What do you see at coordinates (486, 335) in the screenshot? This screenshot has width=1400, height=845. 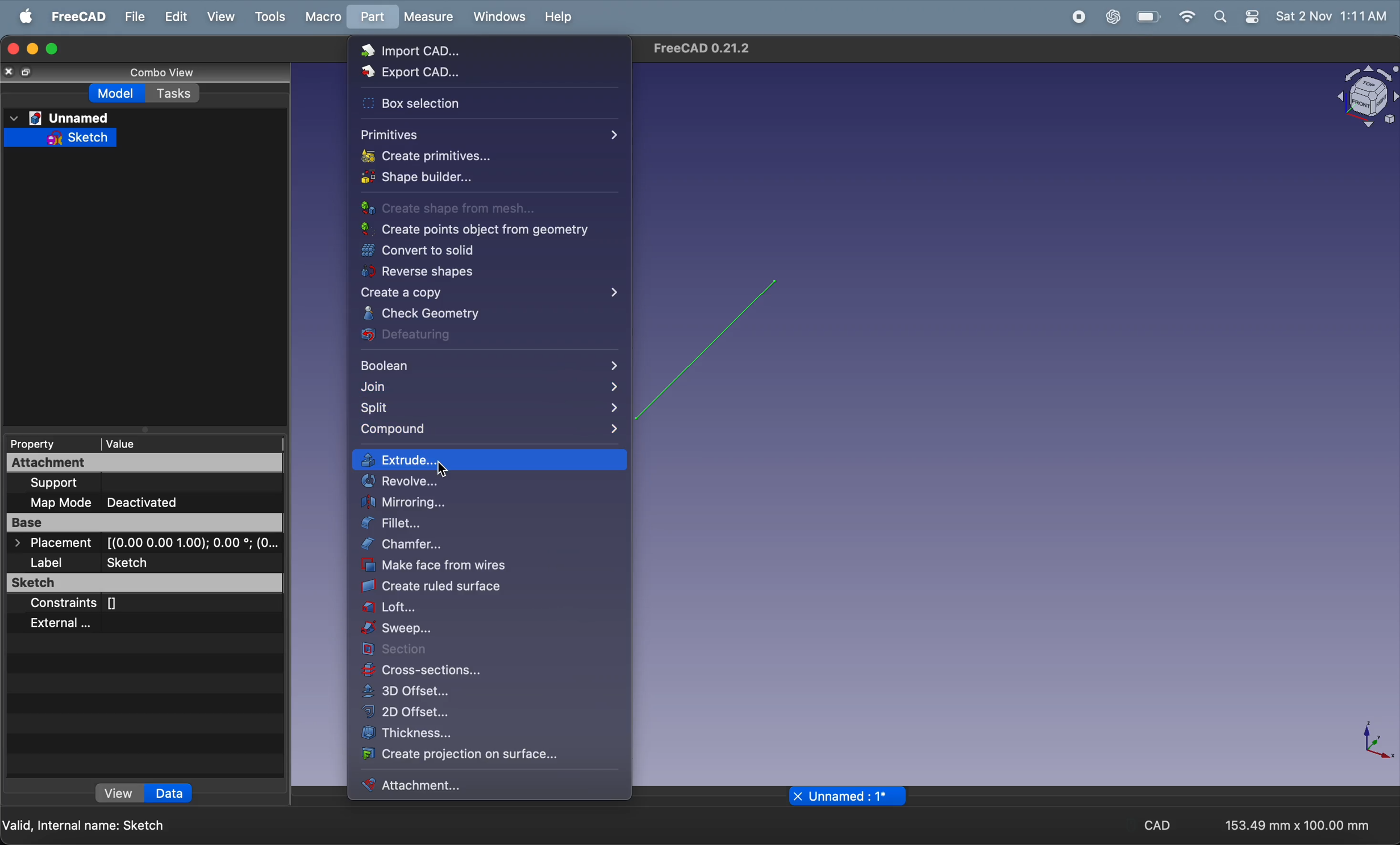 I see `defeaturing` at bounding box center [486, 335].